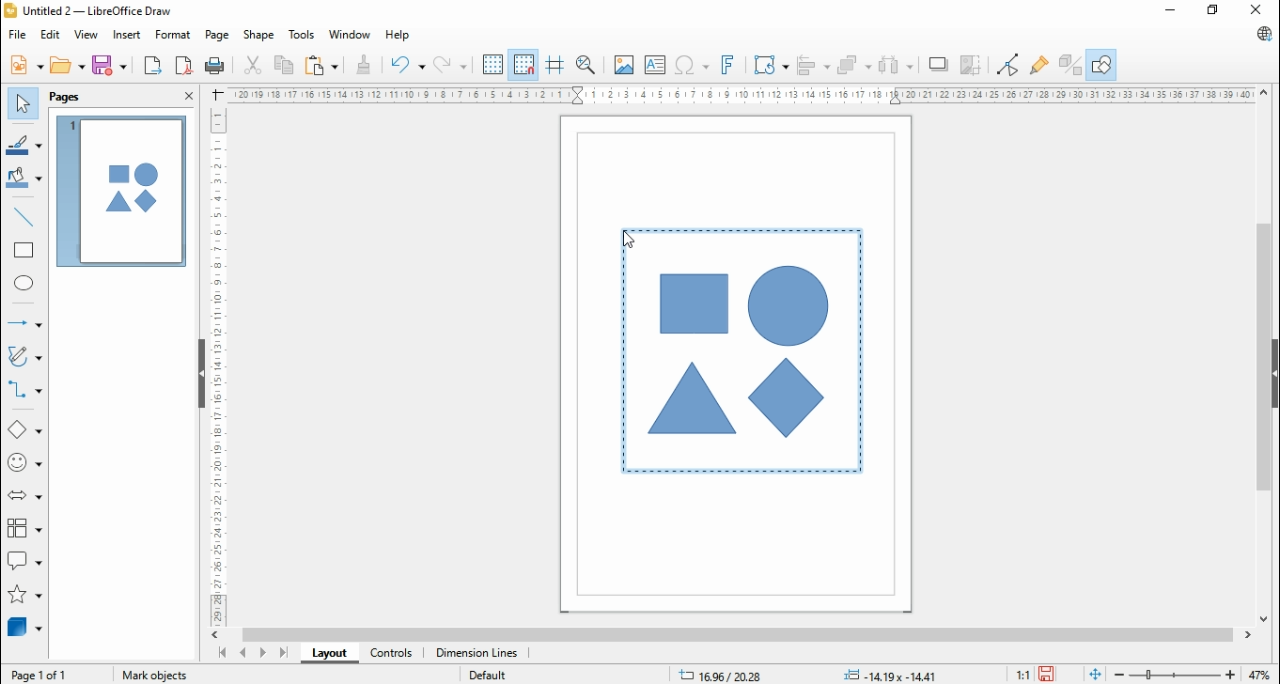 The width and height of the screenshot is (1280, 684). I want to click on paste, so click(320, 64).